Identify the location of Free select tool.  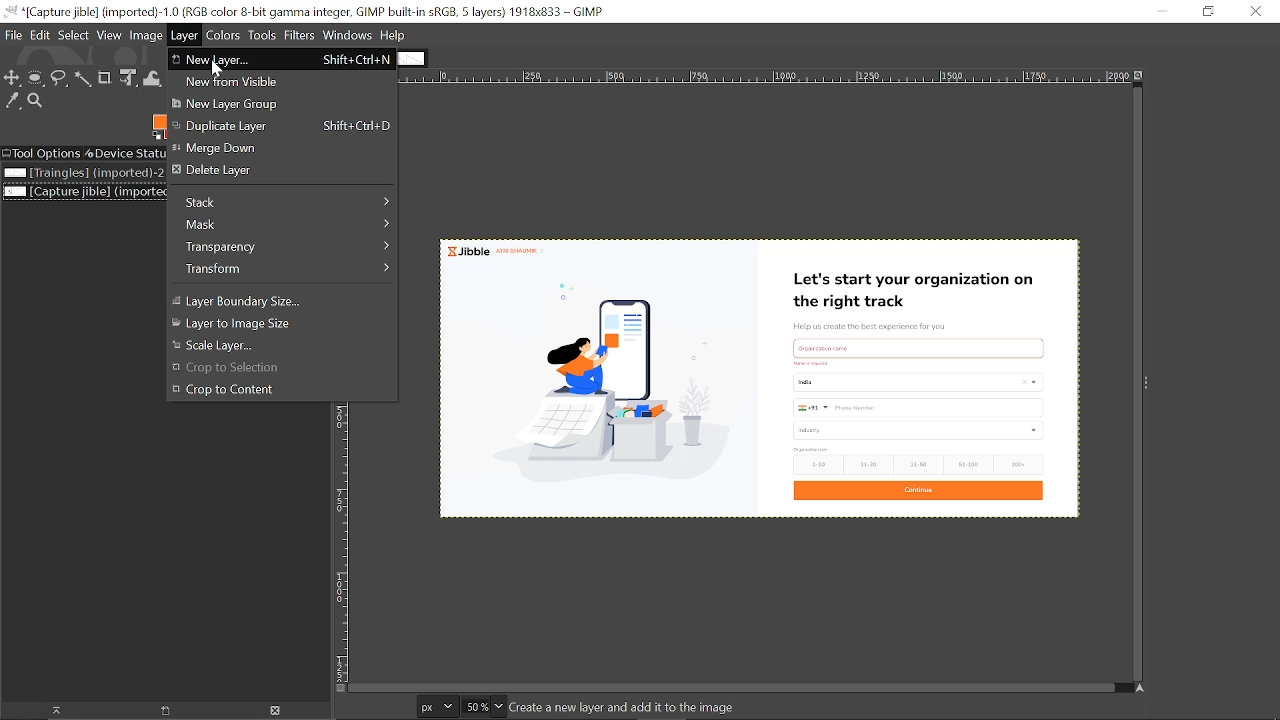
(59, 79).